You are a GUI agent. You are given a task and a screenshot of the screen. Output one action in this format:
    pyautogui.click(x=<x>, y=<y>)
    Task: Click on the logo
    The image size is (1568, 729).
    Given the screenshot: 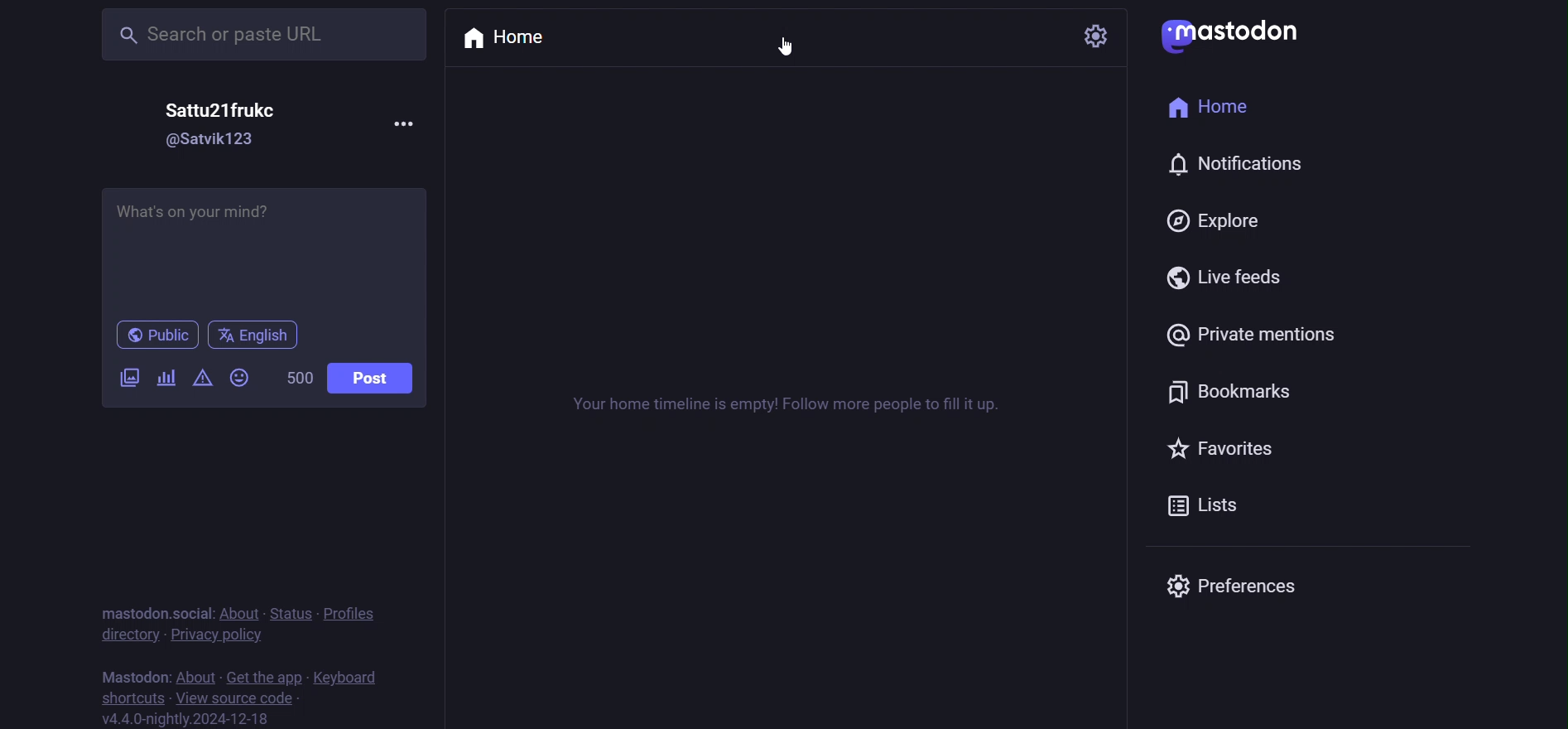 What is the action you would take?
    pyautogui.click(x=1229, y=34)
    